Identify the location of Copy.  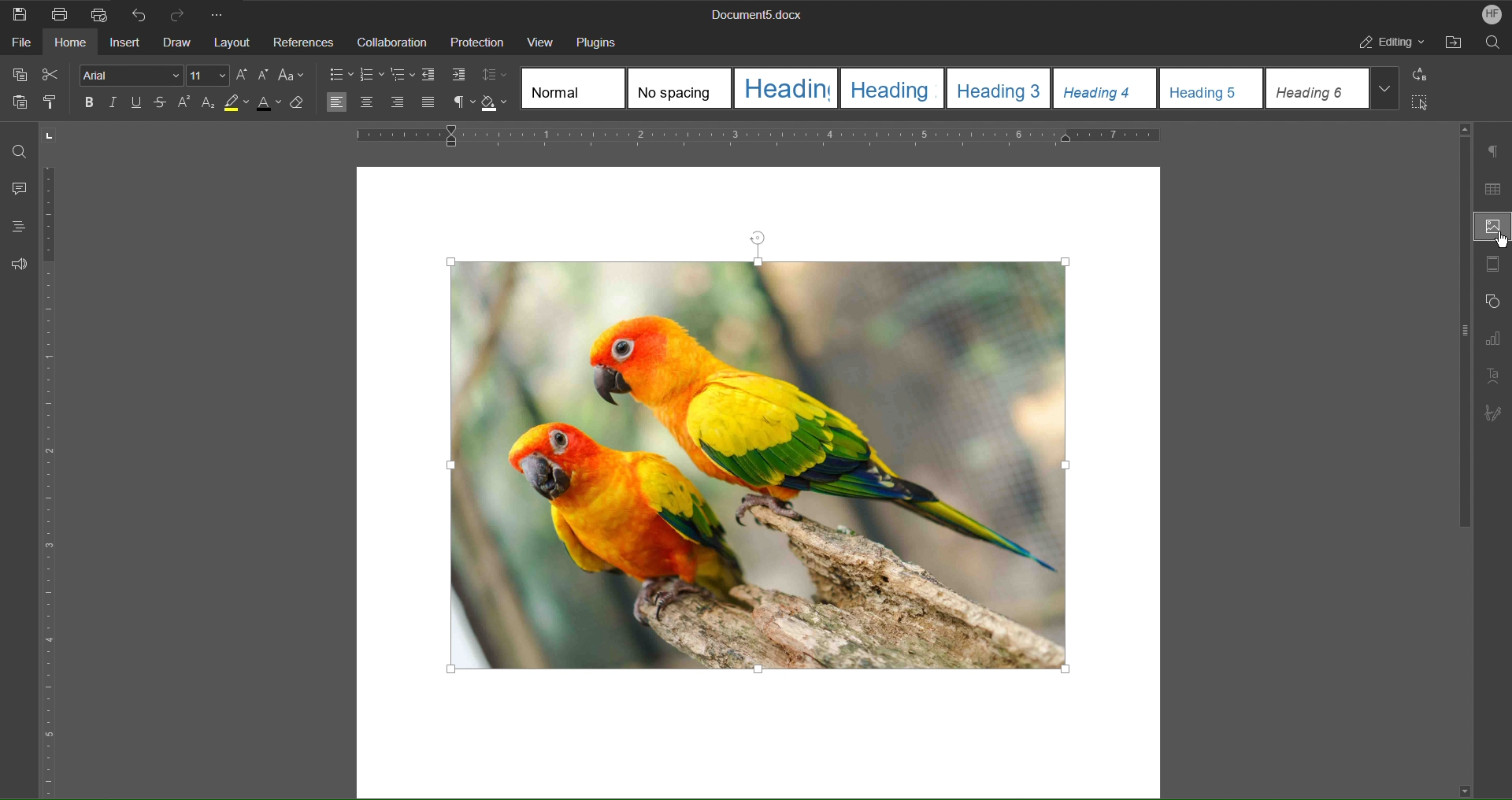
(18, 75).